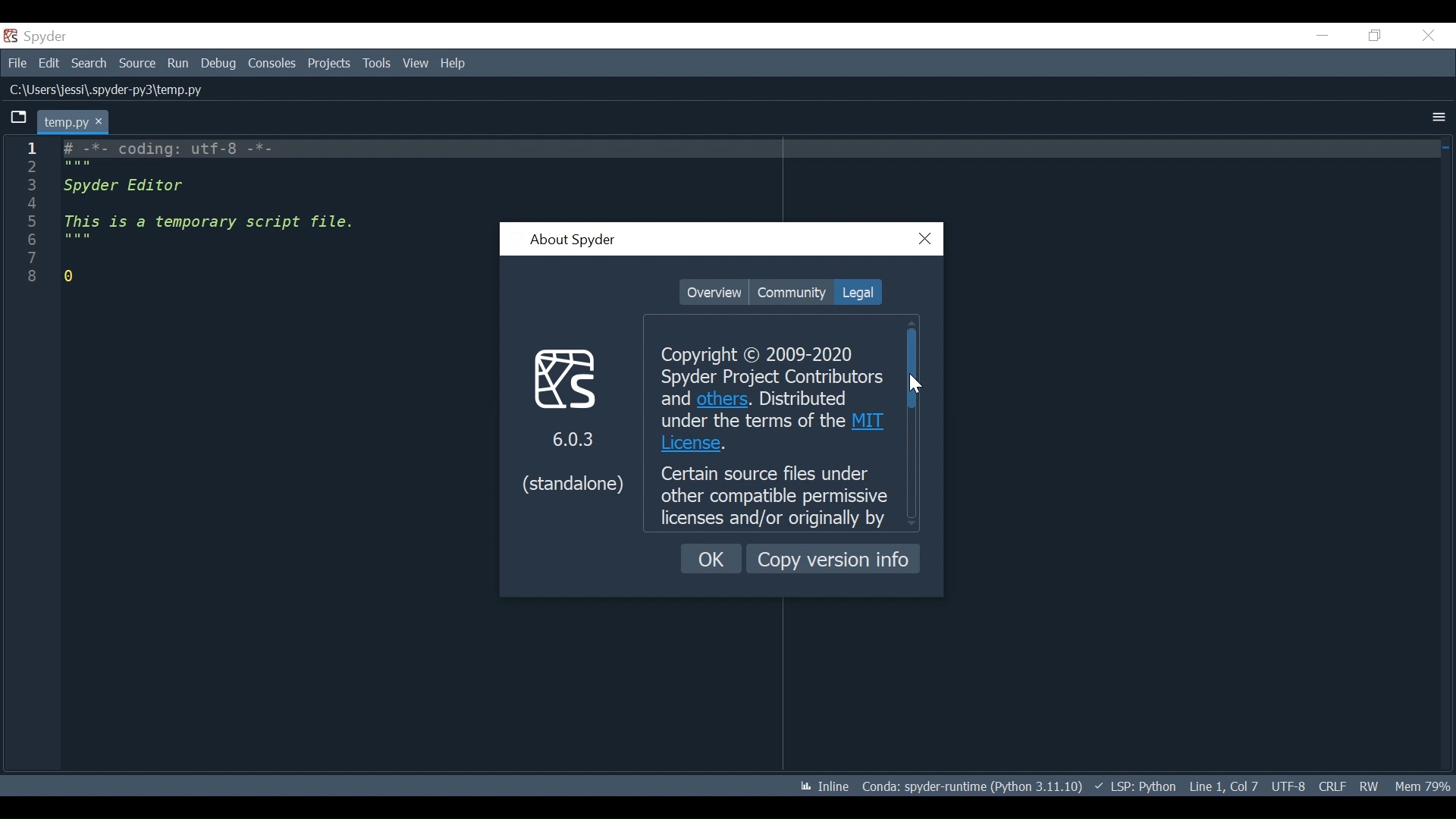 The width and height of the screenshot is (1456, 819). I want to click on ‘Mem 80%, so click(1426, 786).